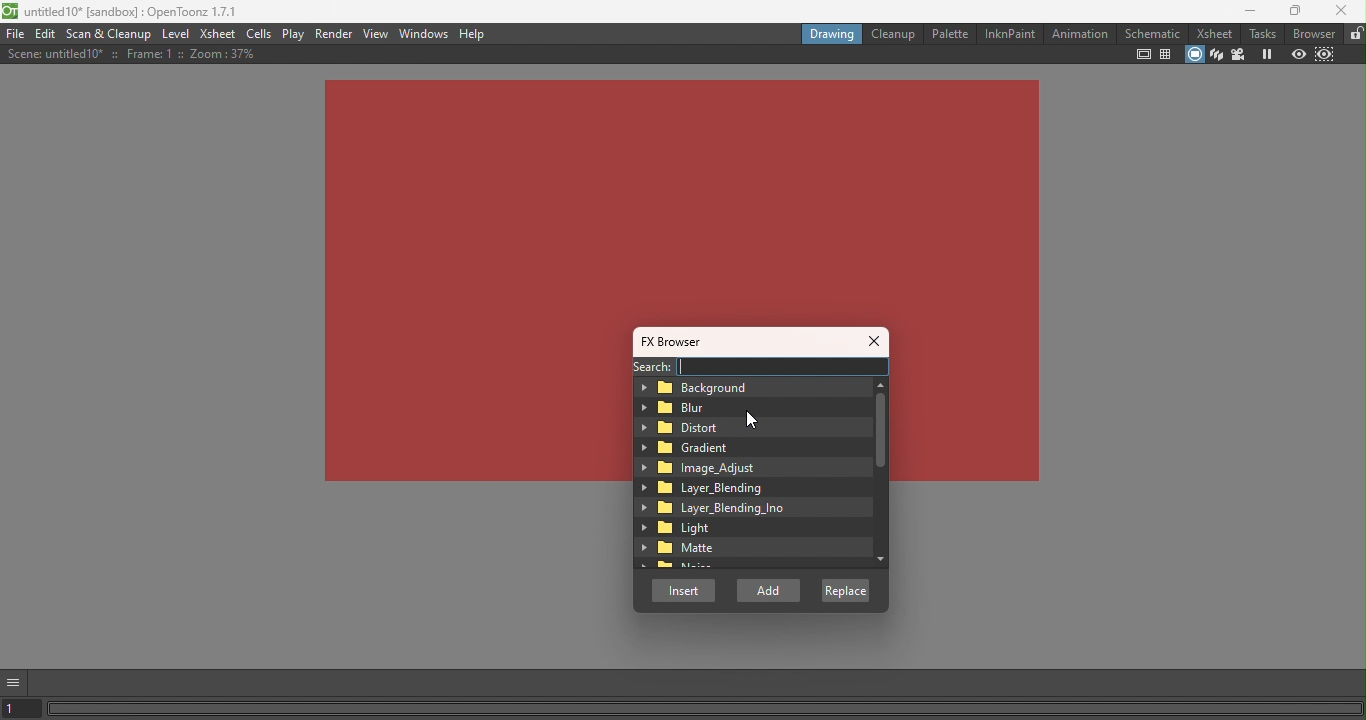 The height and width of the screenshot is (720, 1366). What do you see at coordinates (295, 34) in the screenshot?
I see `Play ` at bounding box center [295, 34].